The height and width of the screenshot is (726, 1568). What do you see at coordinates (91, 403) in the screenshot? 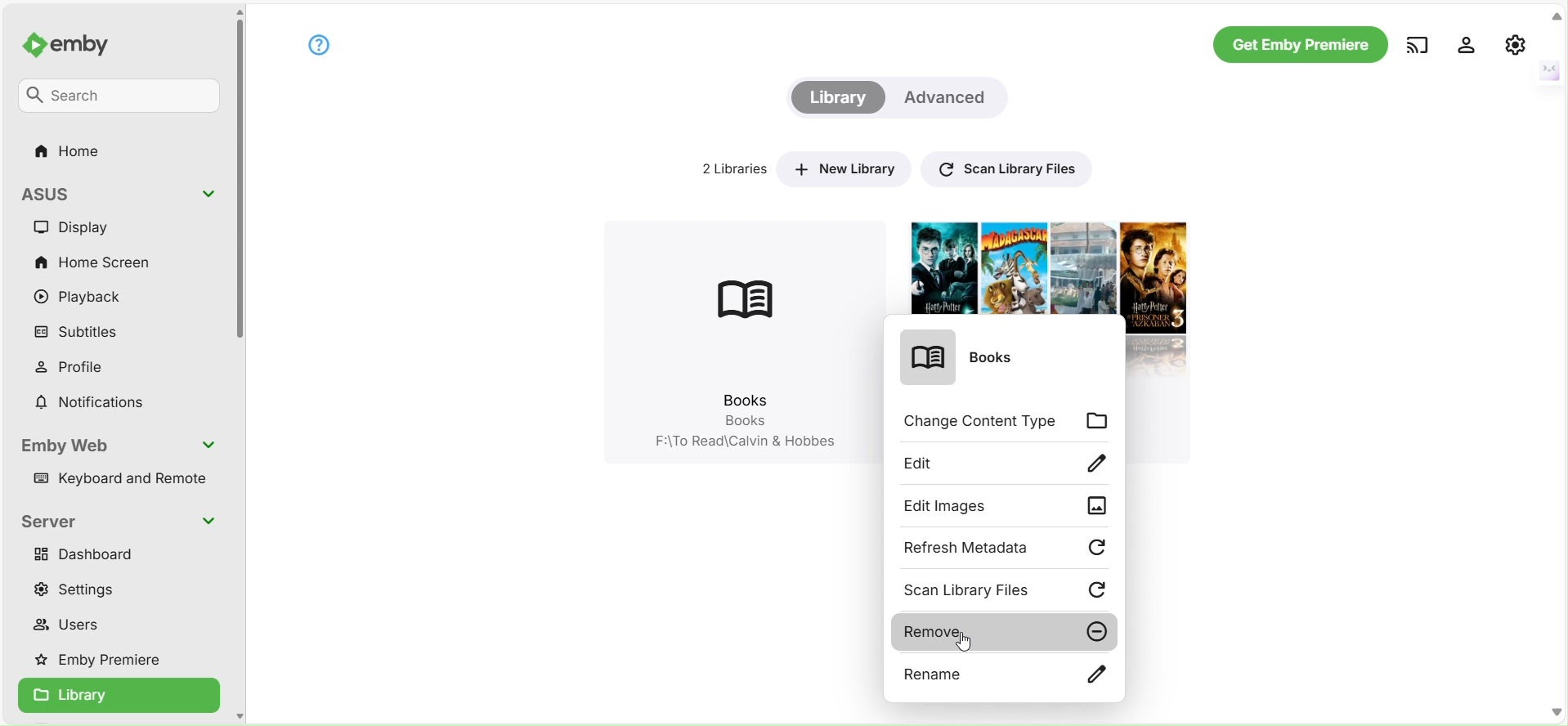
I see `Notifications` at bounding box center [91, 403].